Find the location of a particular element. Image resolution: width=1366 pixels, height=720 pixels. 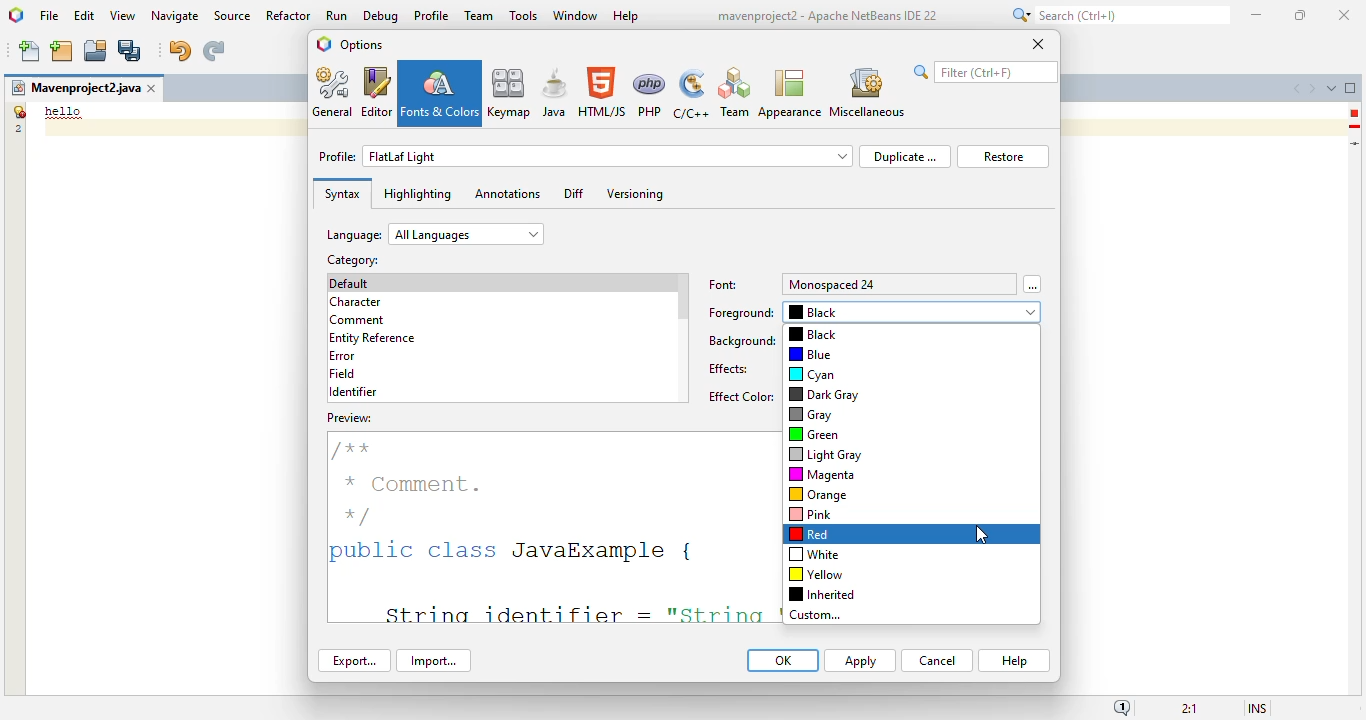

redo is located at coordinates (213, 51).